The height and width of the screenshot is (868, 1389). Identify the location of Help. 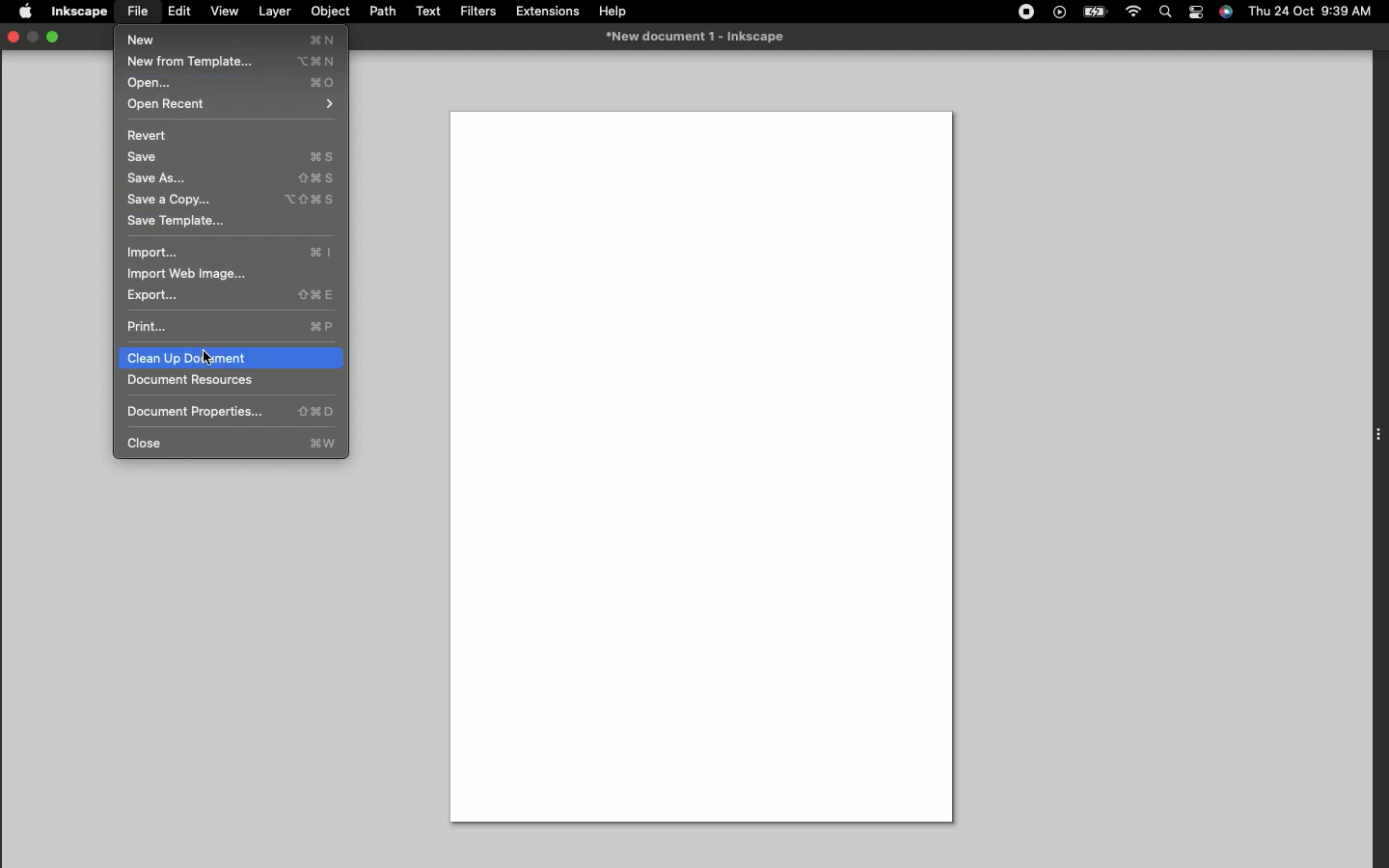
(613, 10).